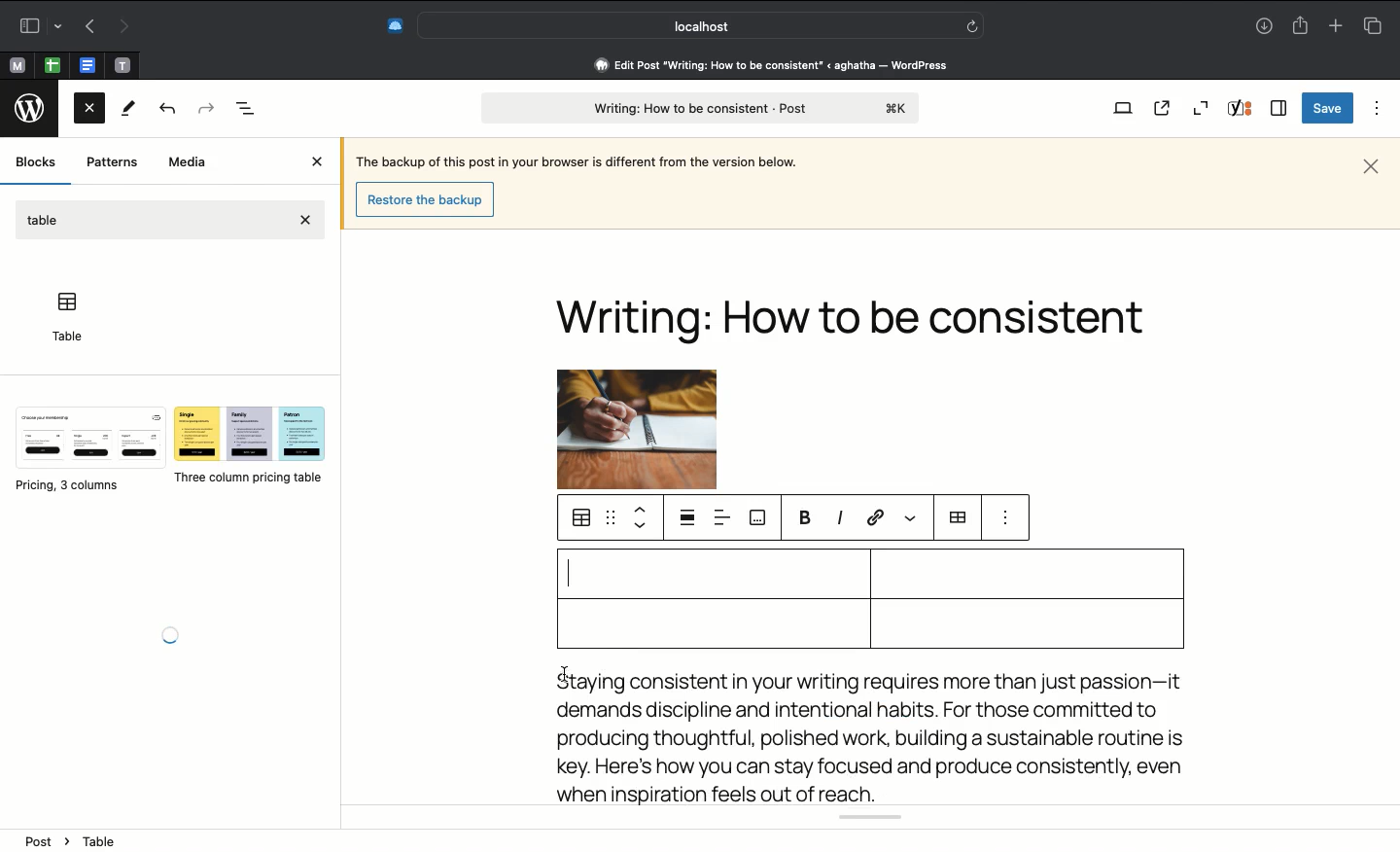  I want to click on heading, so click(115, 842).